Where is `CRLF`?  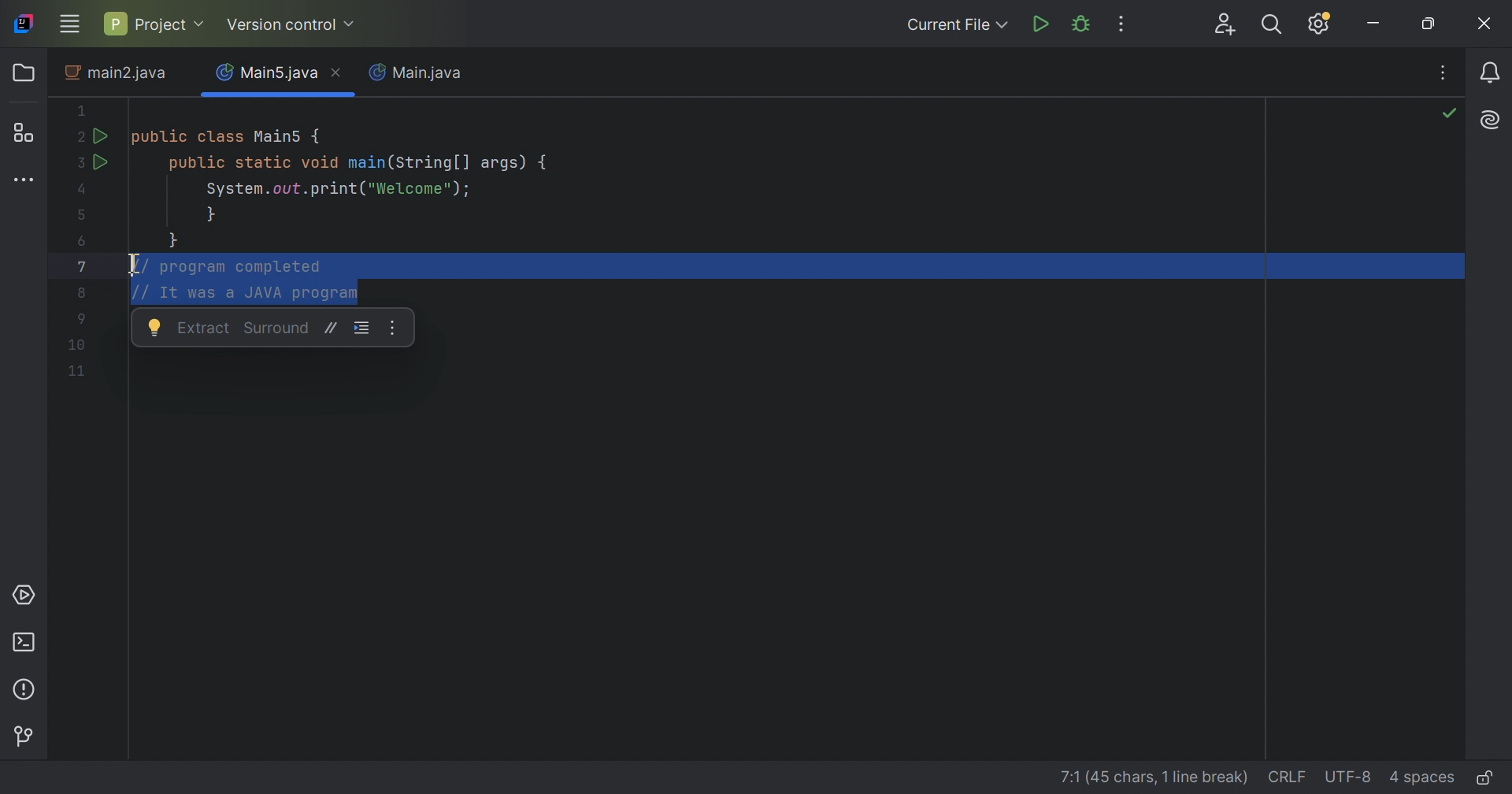 CRLF is located at coordinates (1284, 777).